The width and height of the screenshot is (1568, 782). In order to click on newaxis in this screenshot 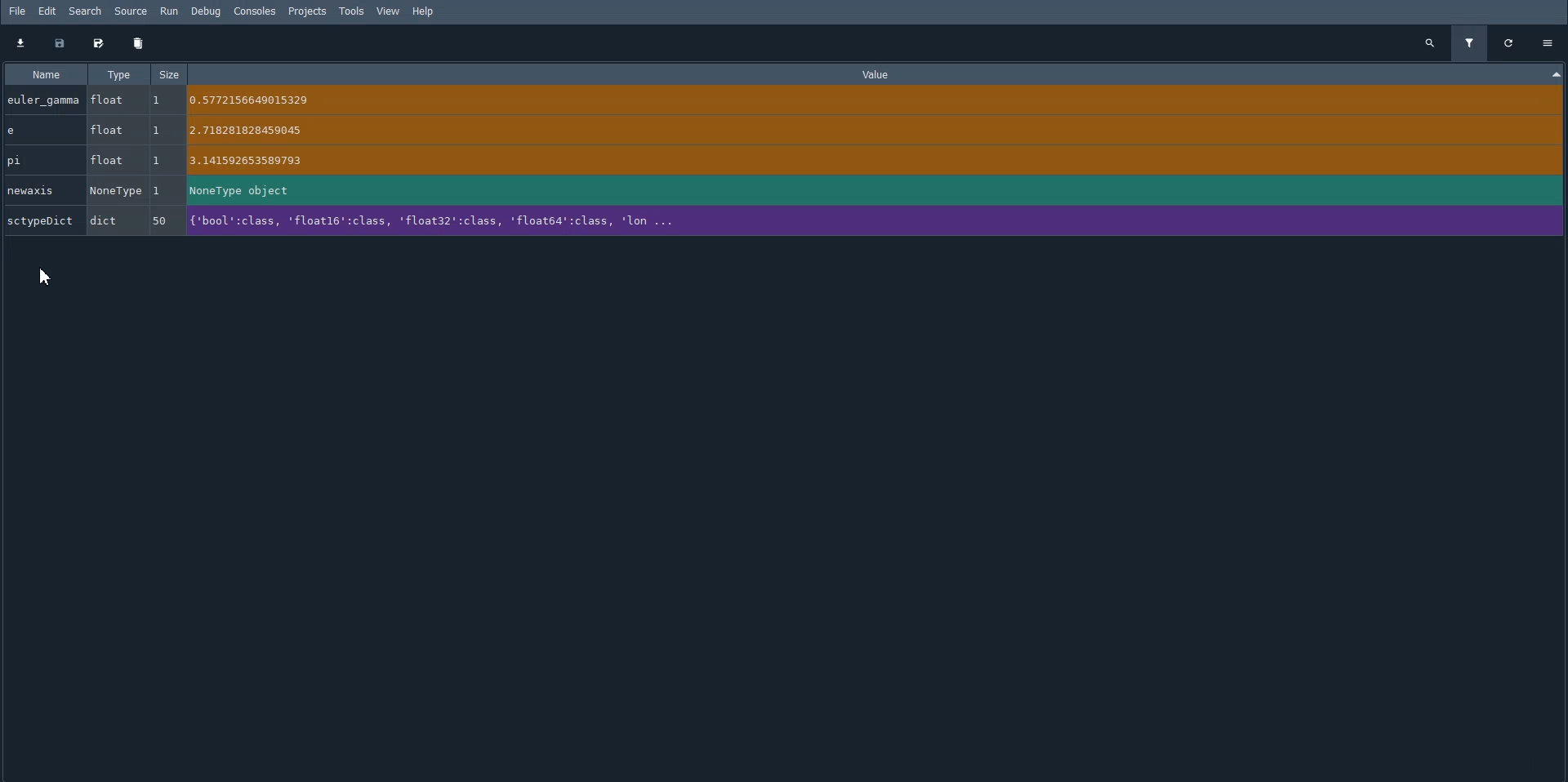, I will do `click(181, 190)`.